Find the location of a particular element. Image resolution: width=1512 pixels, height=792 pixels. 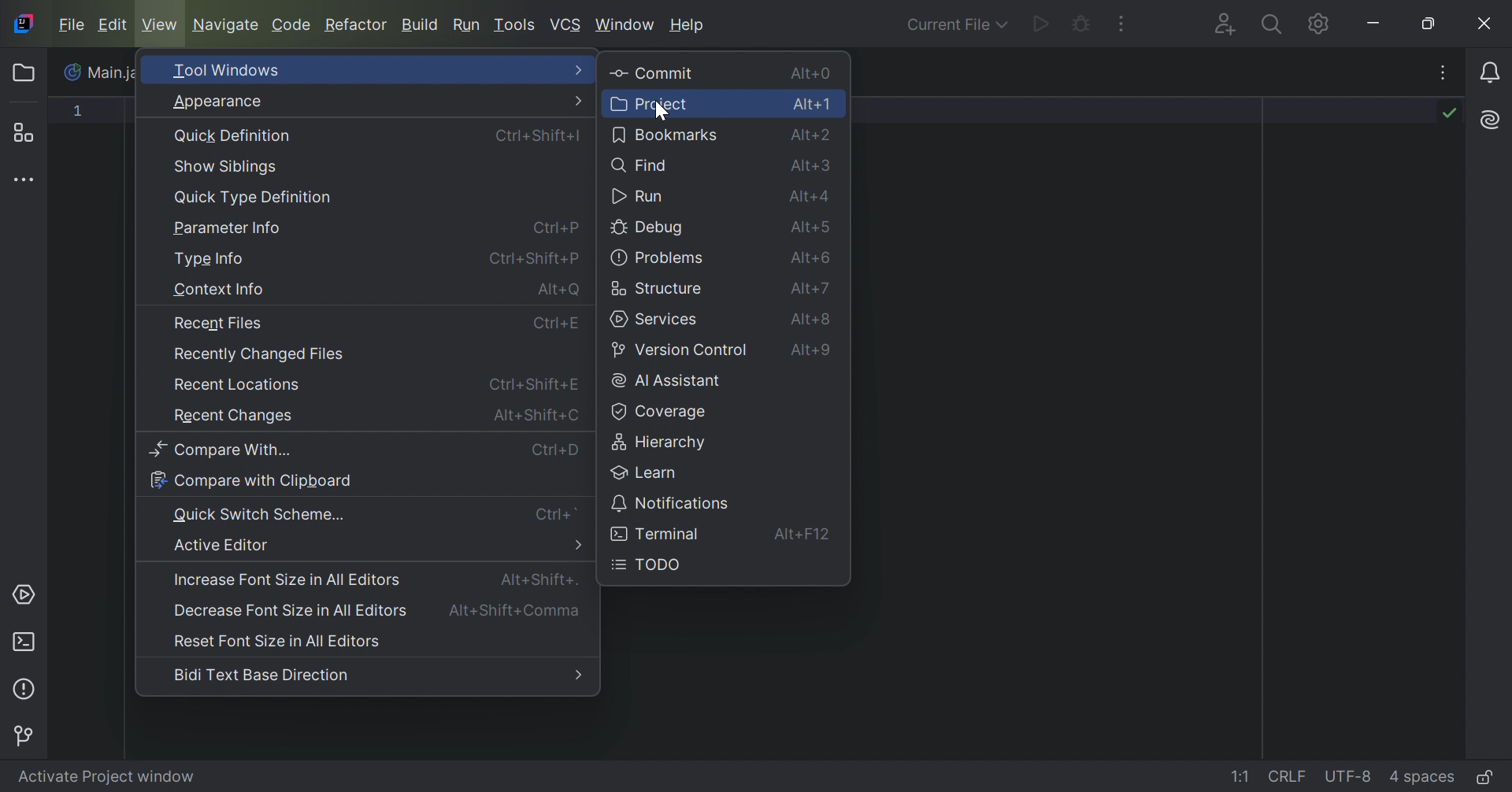

Structure is located at coordinates (657, 289).